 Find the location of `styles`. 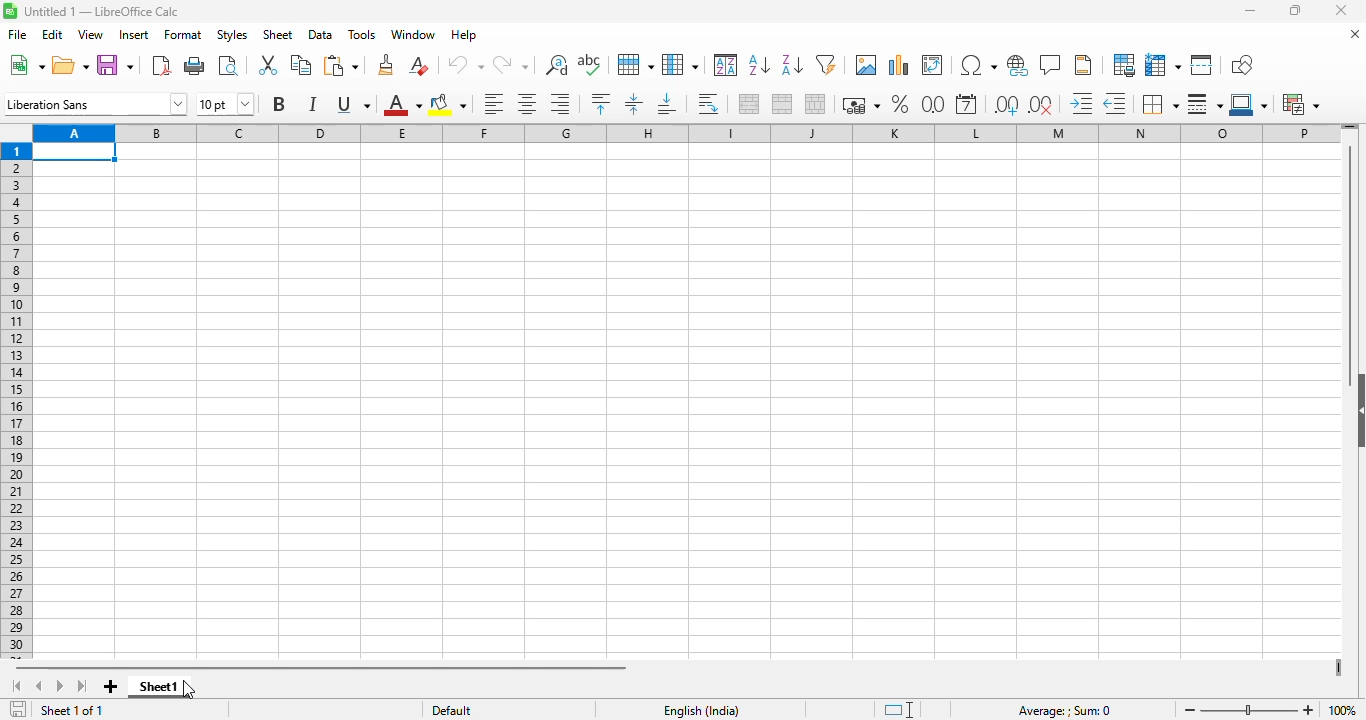

styles is located at coordinates (231, 34).